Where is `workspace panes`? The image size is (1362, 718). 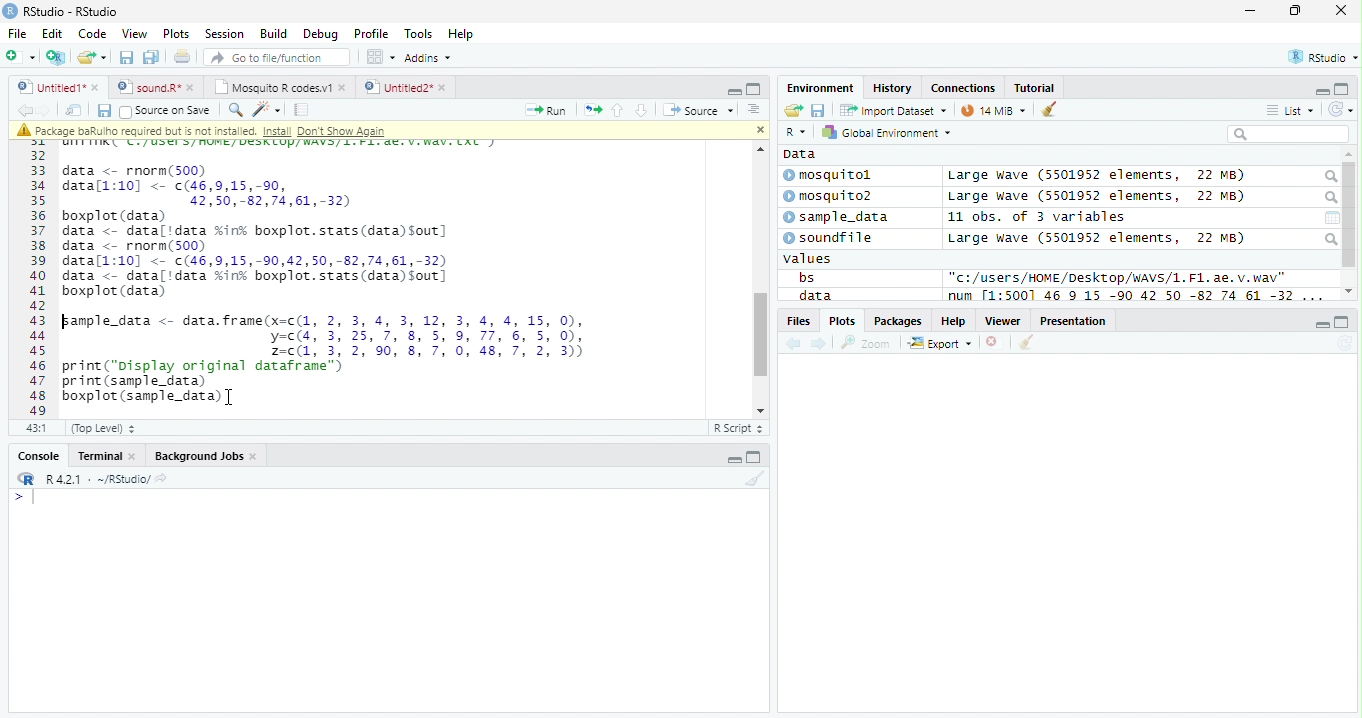
workspace panes is located at coordinates (382, 57).